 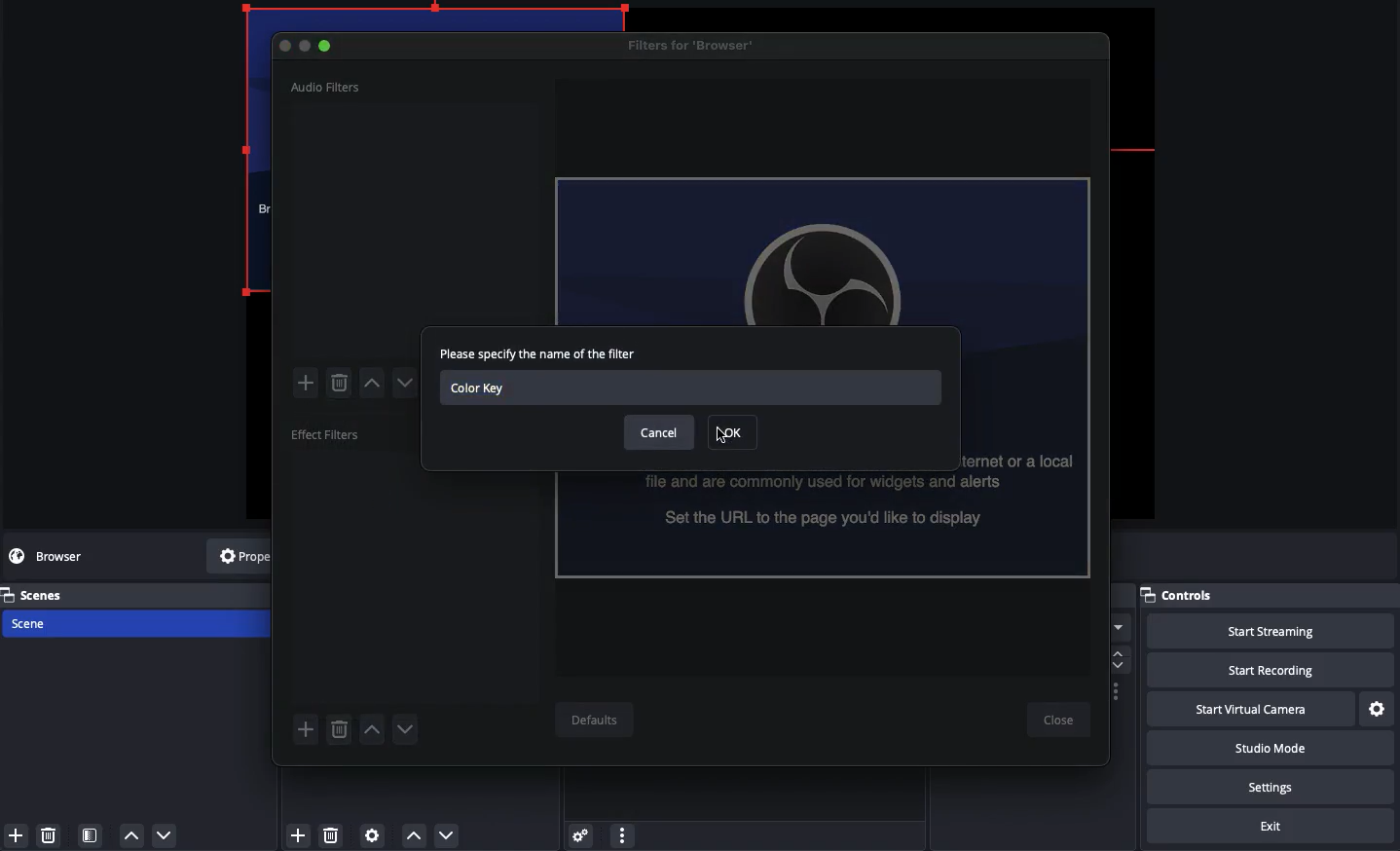 I want to click on Maximize, so click(x=327, y=47).